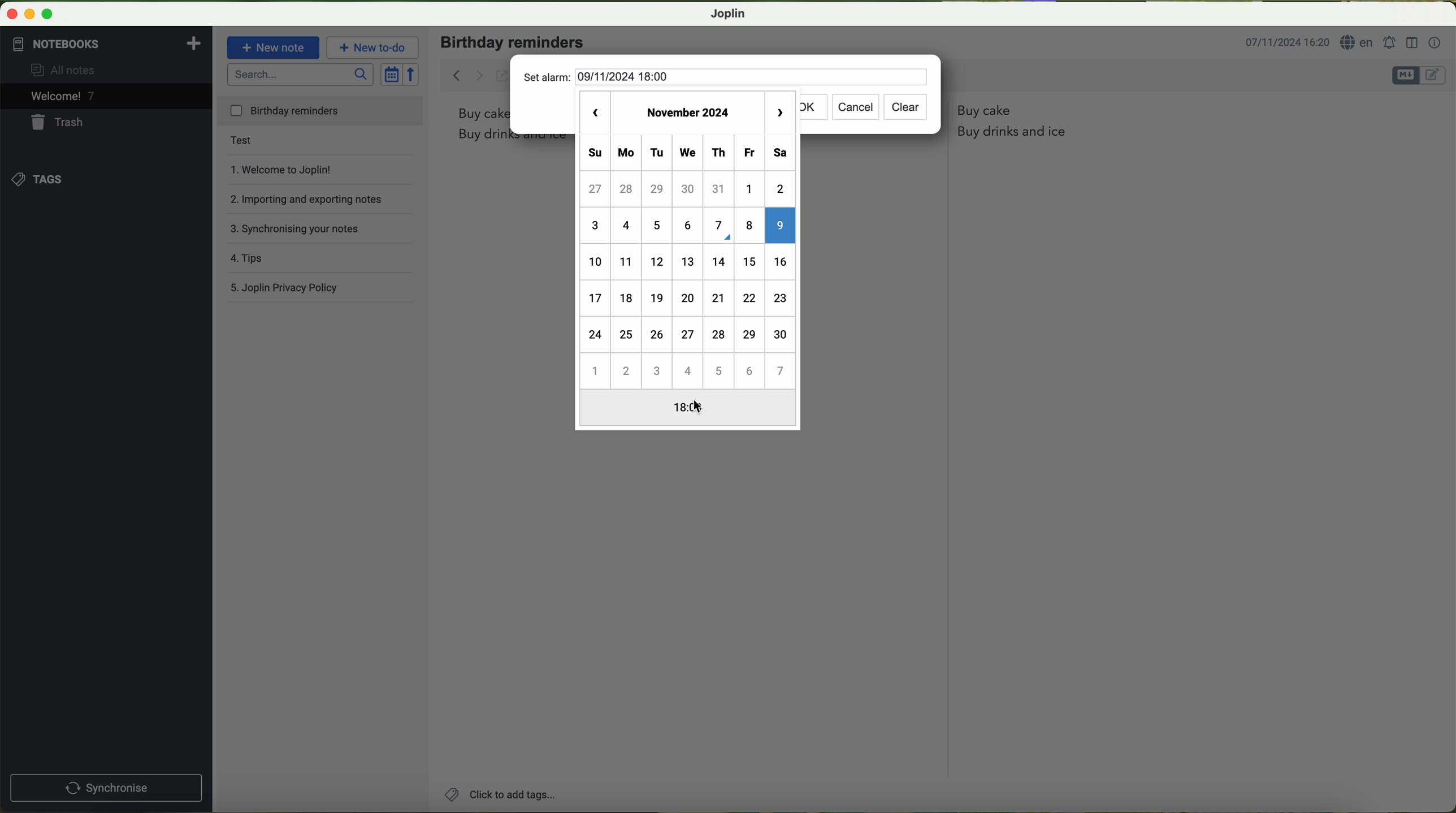  I want to click on Joplin, so click(728, 15).